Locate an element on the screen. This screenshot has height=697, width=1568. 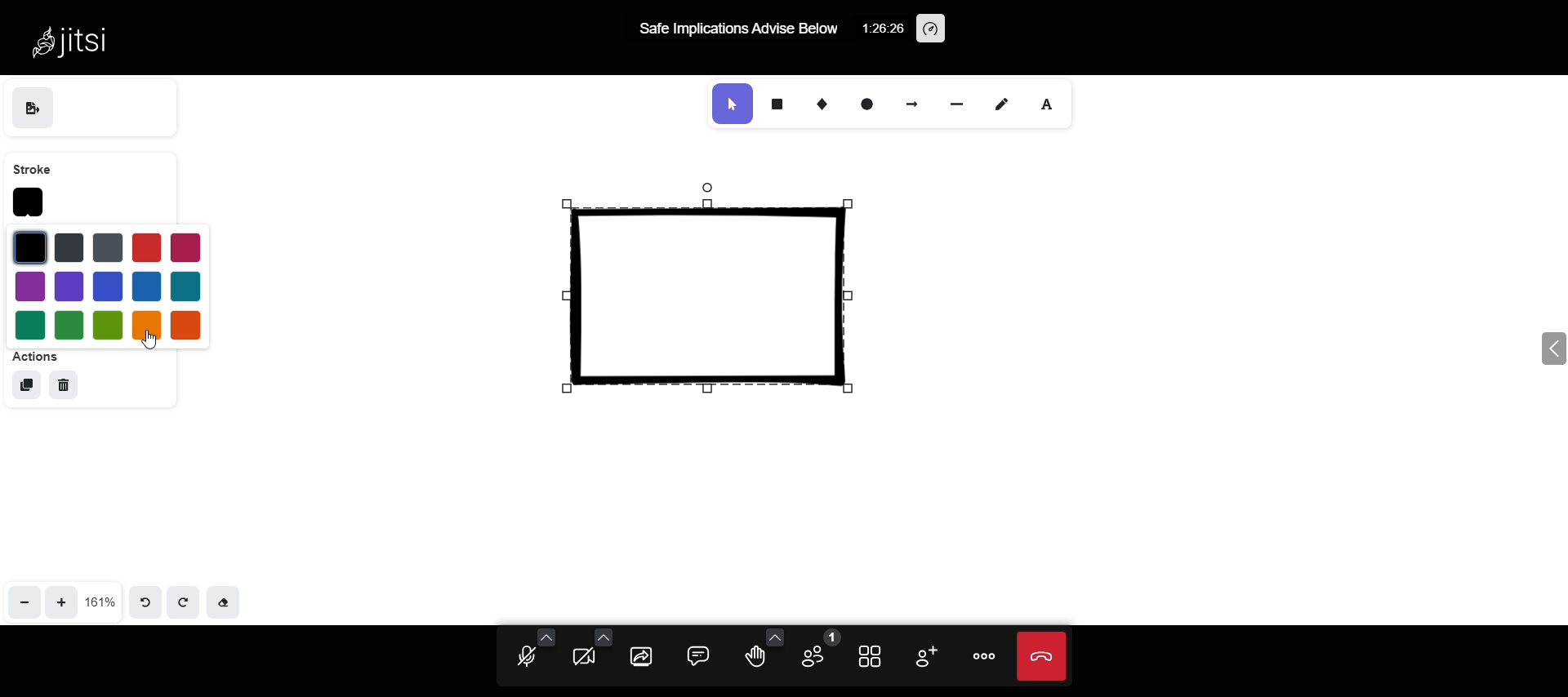
green 2 is located at coordinates (68, 325).